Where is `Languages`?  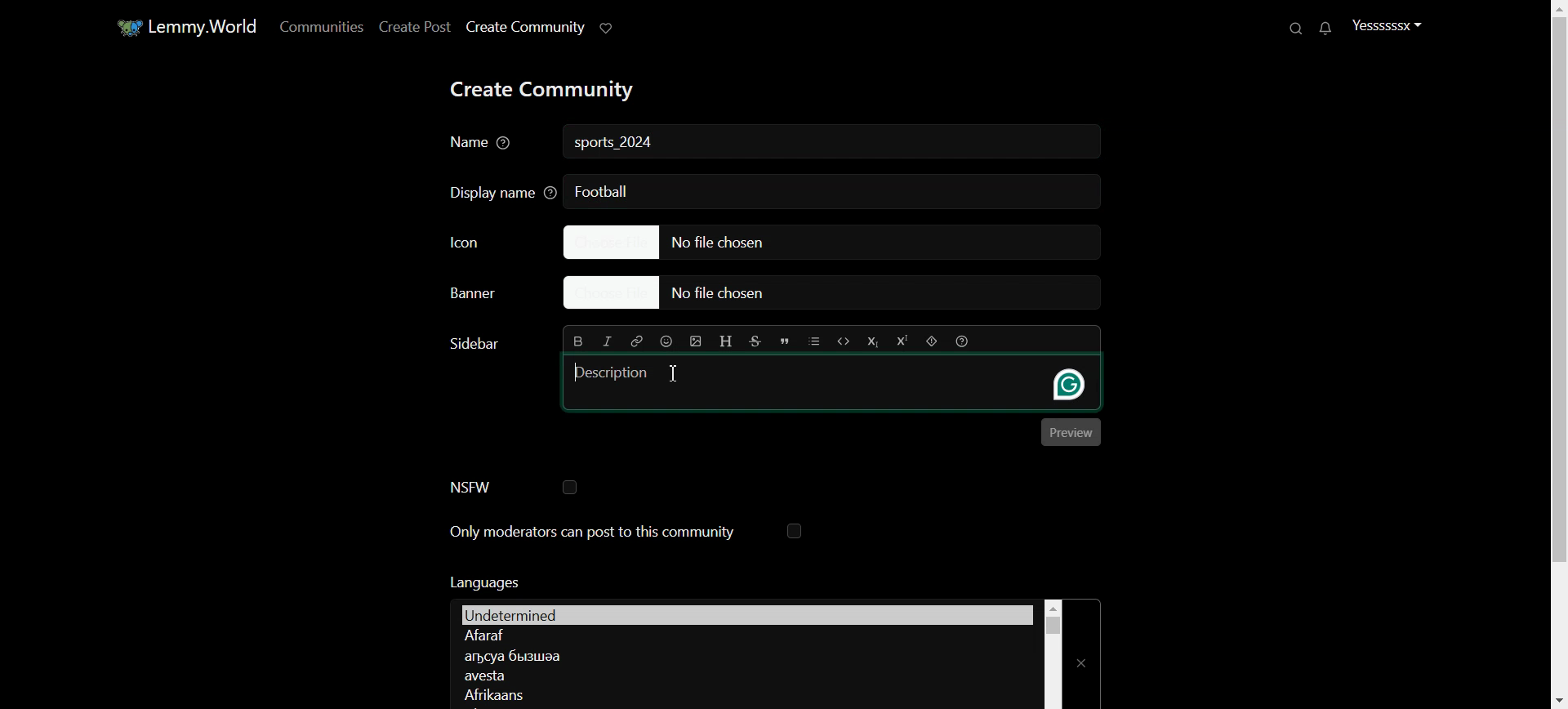 Languages is located at coordinates (746, 613).